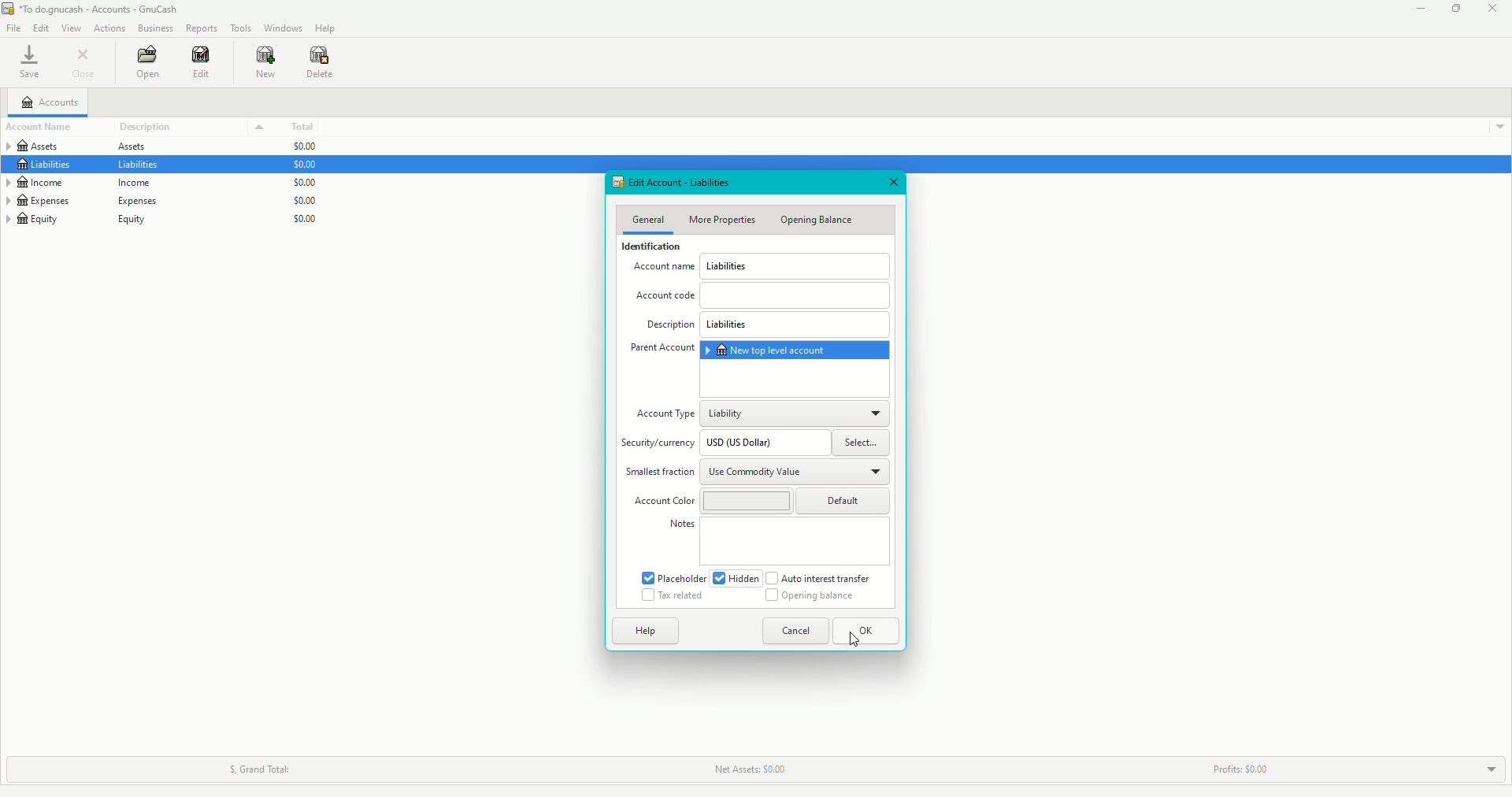 The width and height of the screenshot is (1512, 797). I want to click on Auto interest transfer, so click(817, 578).